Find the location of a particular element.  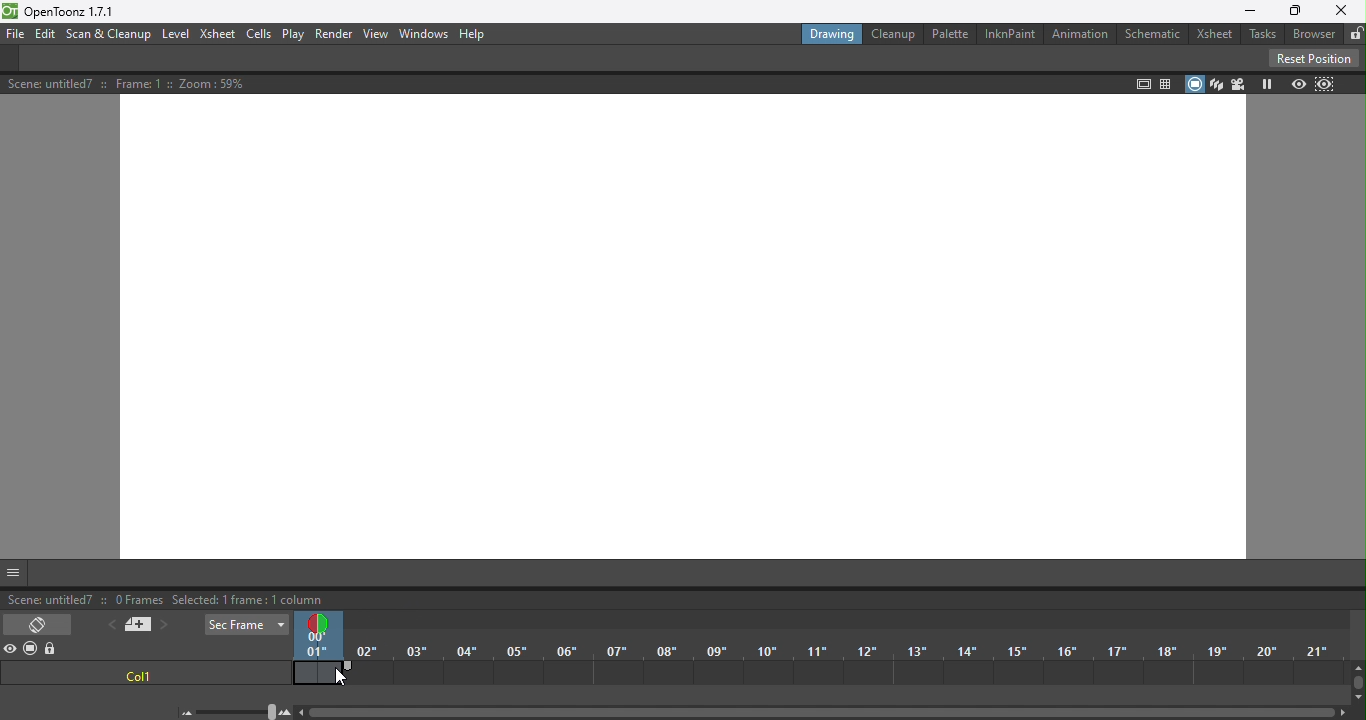

Frames is located at coordinates (847, 662).